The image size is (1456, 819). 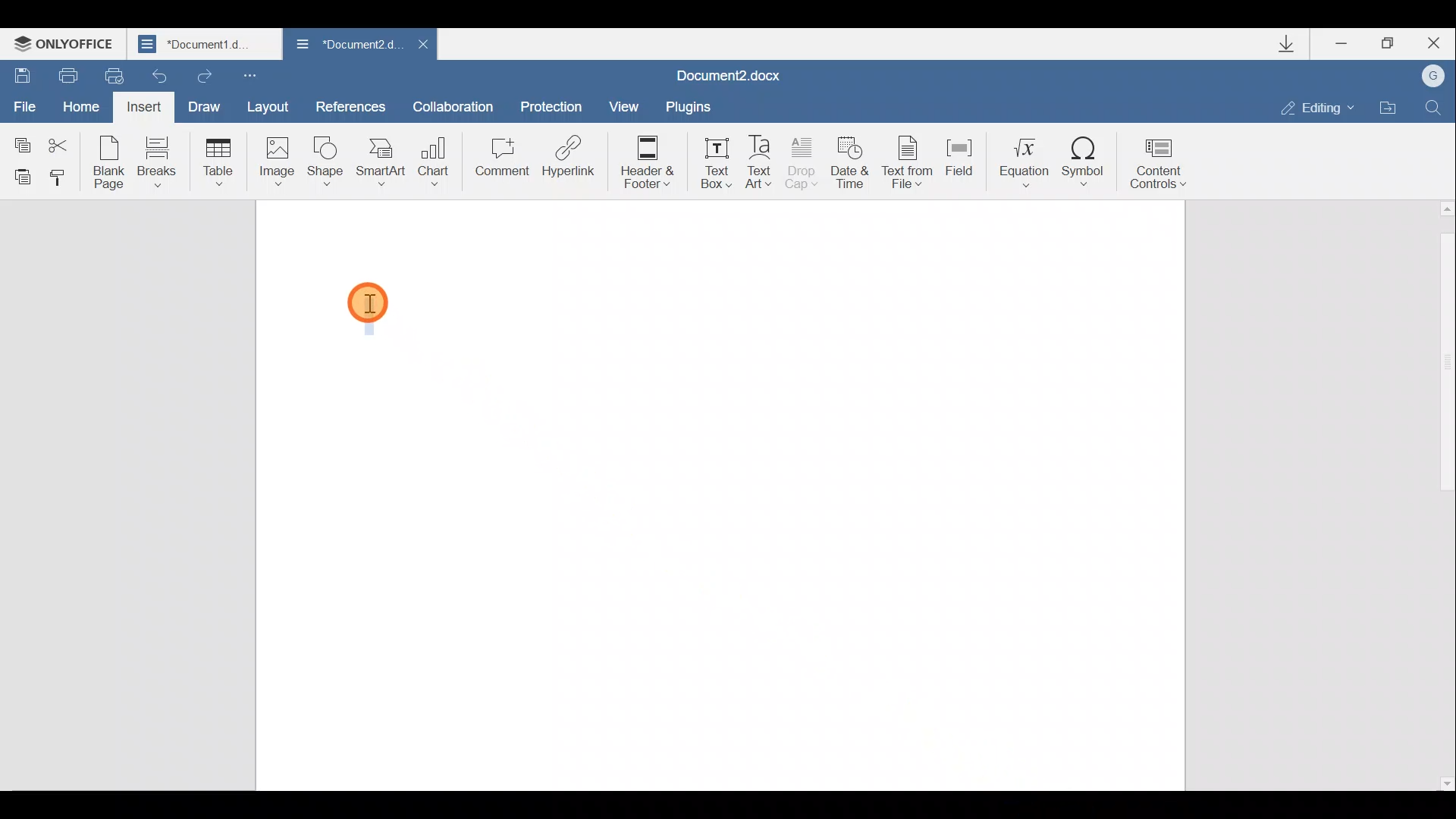 I want to click on View, so click(x=619, y=105).